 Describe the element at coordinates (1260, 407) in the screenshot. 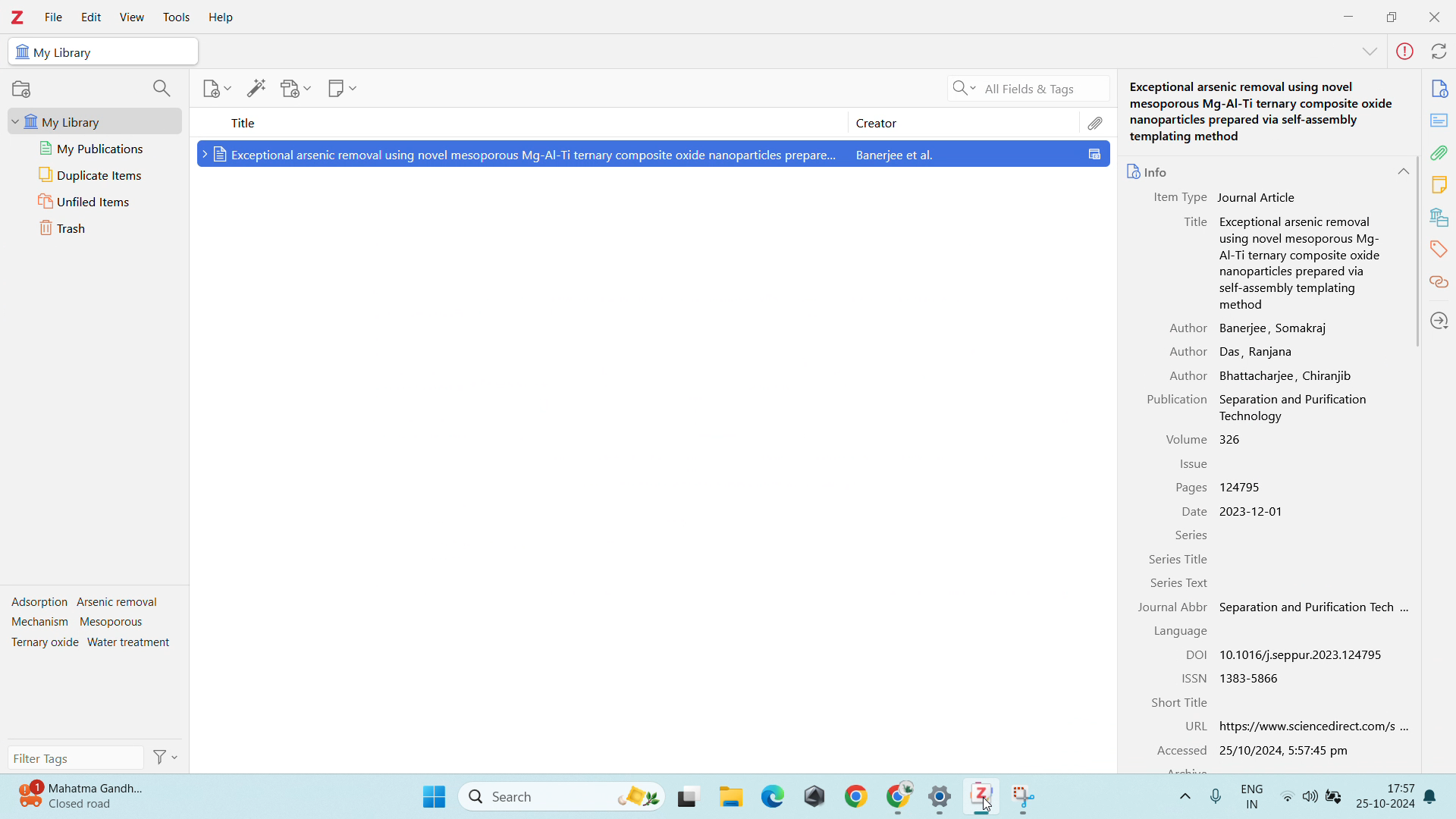

I see `Publication Separation and Purification Technology` at that location.